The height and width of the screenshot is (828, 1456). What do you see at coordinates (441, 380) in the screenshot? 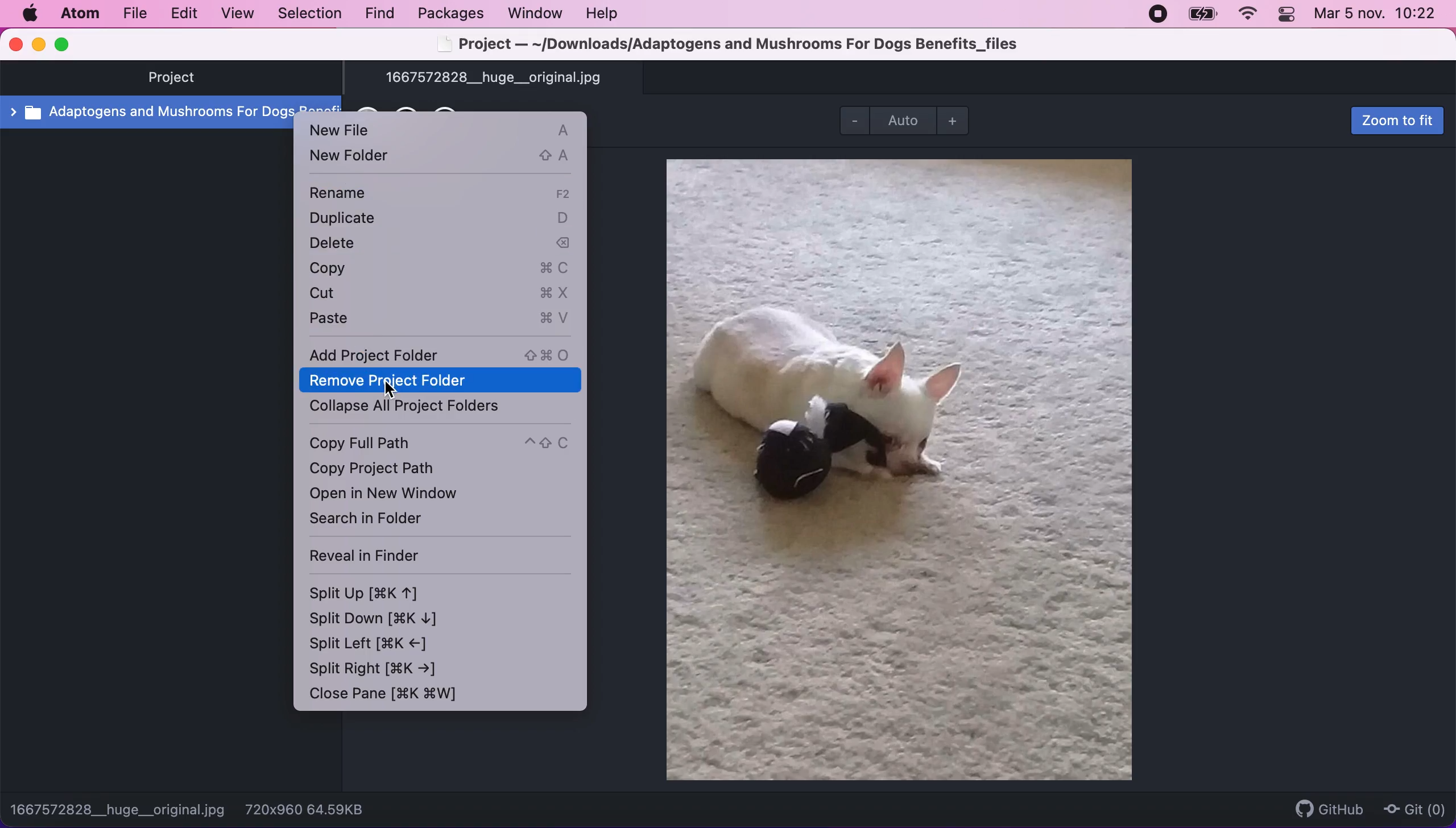
I see `remove project folder` at bounding box center [441, 380].